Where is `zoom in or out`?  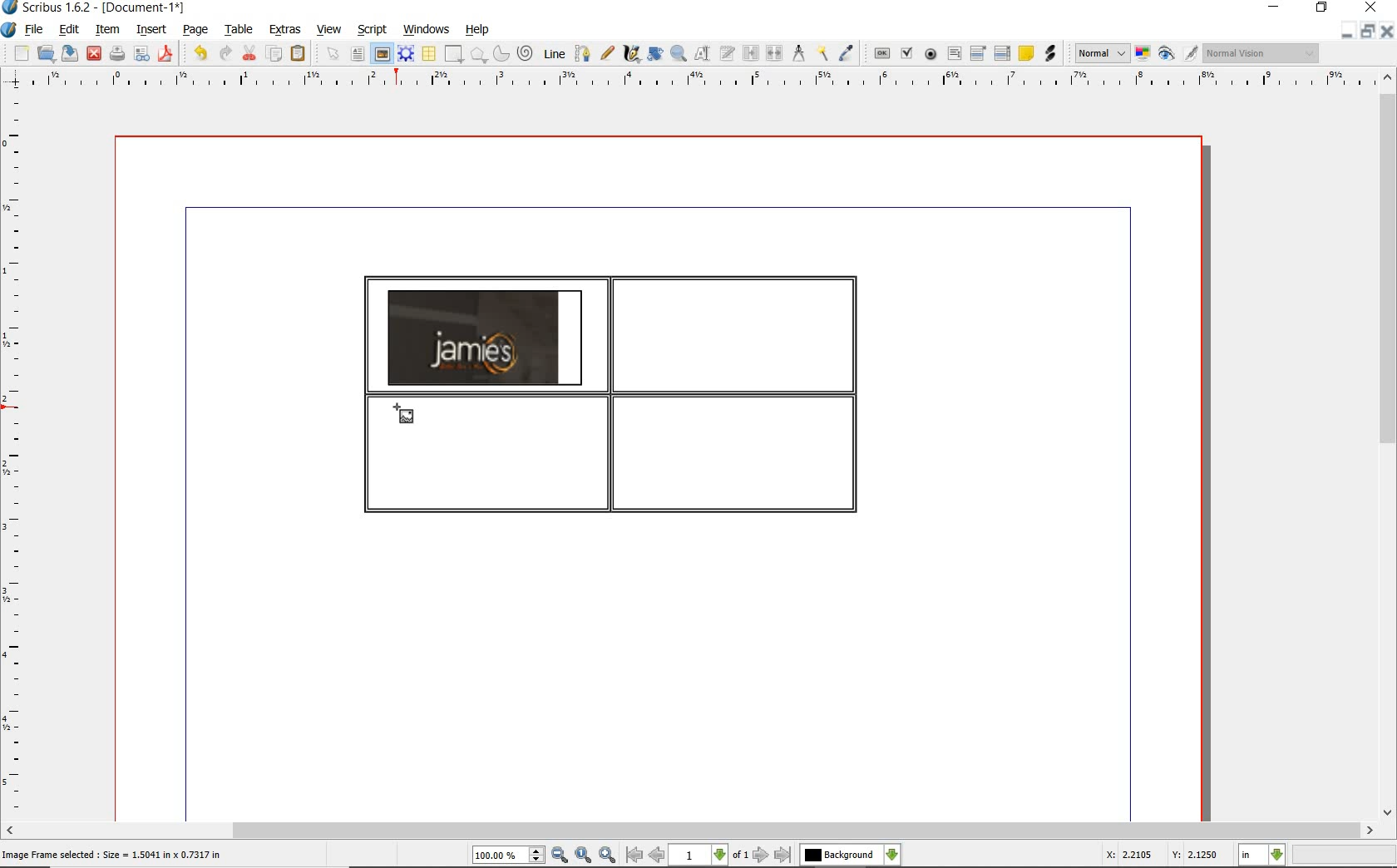 zoom in or out is located at coordinates (678, 54).